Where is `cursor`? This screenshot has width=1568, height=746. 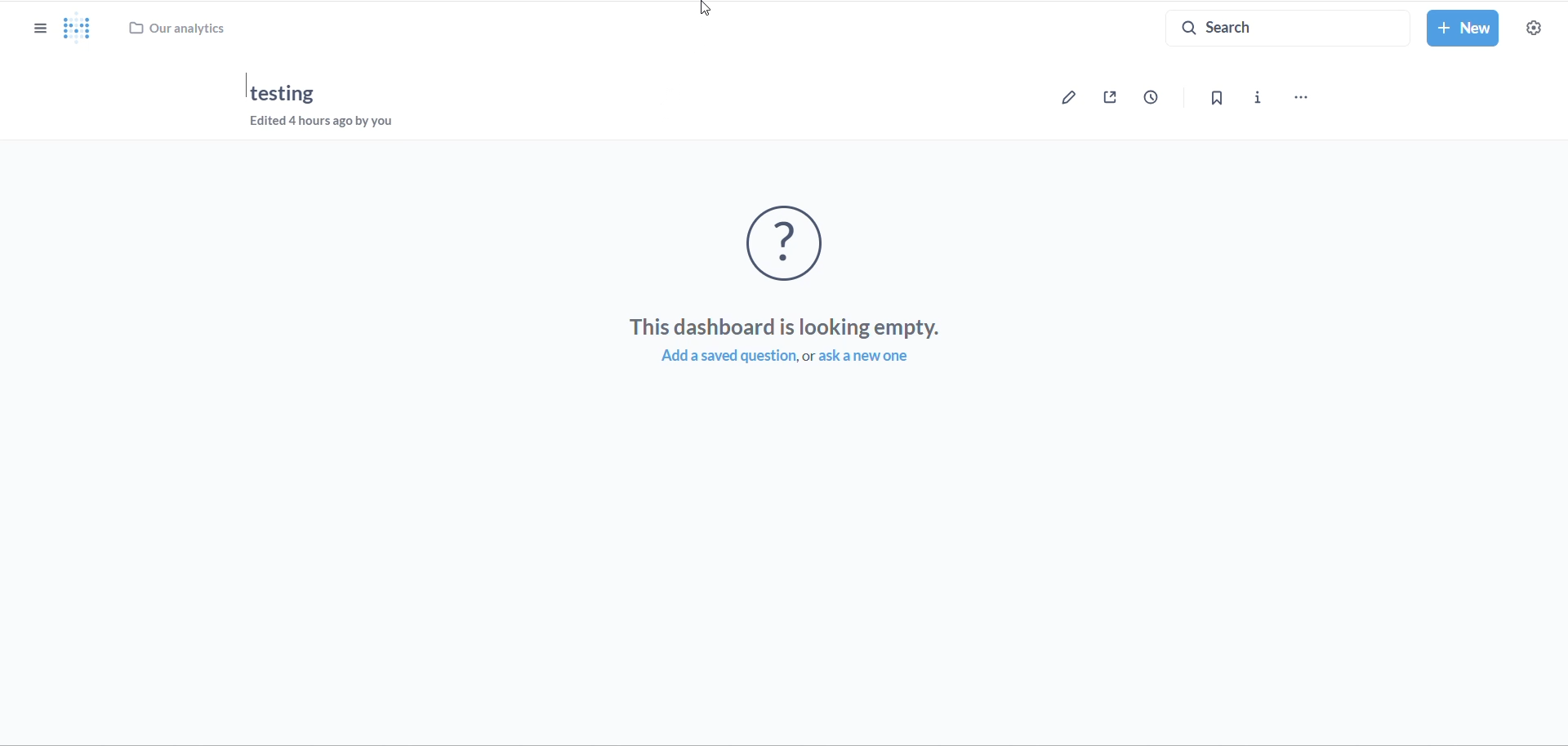
cursor is located at coordinates (702, 8).